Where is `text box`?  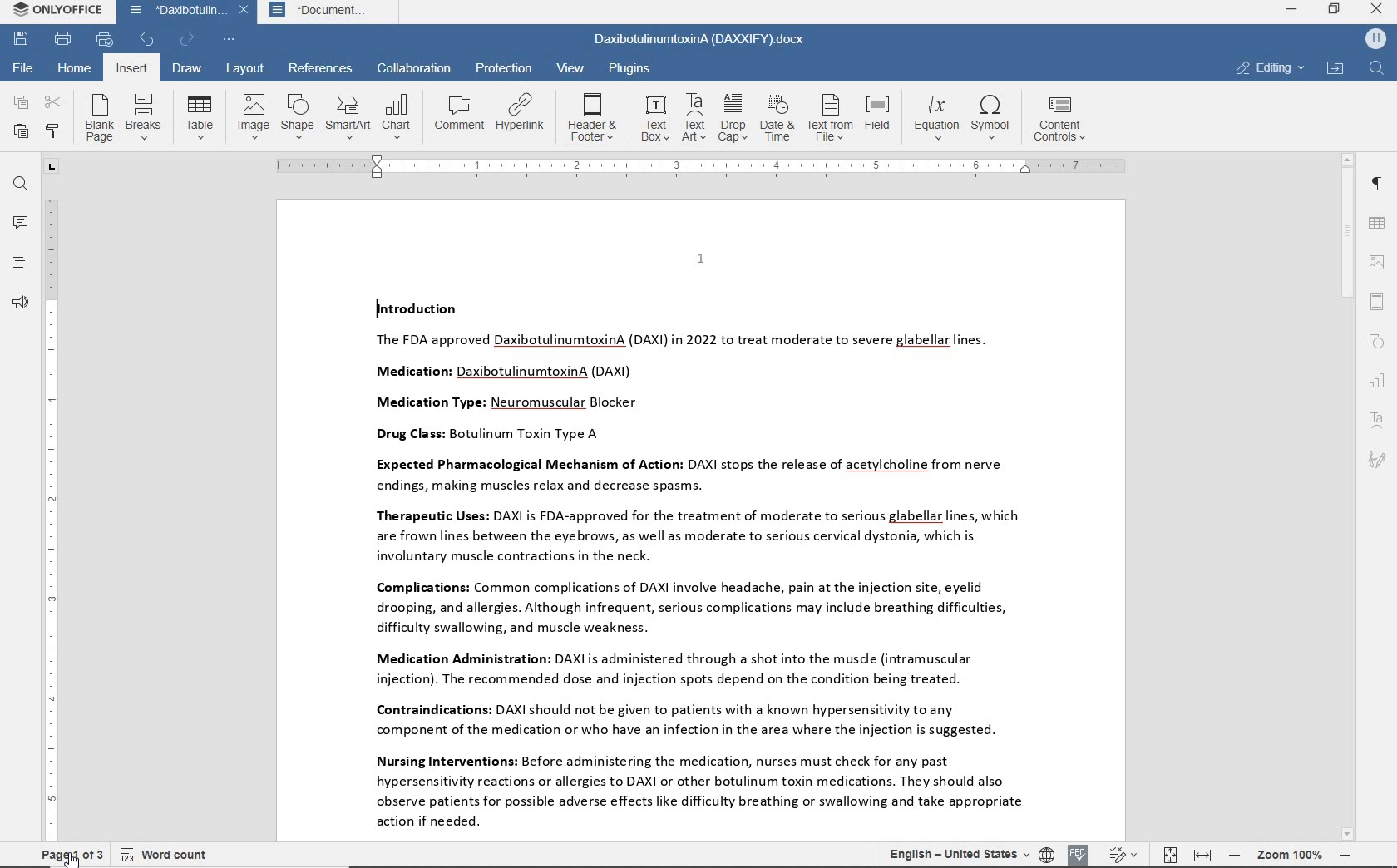
text box is located at coordinates (654, 118).